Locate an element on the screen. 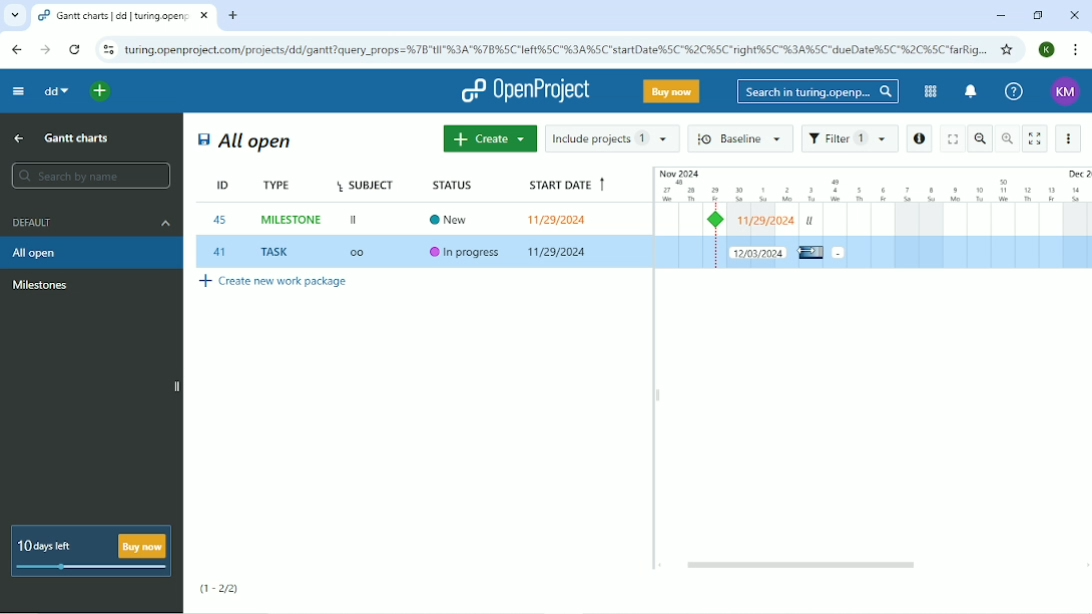  To notification center is located at coordinates (969, 92).